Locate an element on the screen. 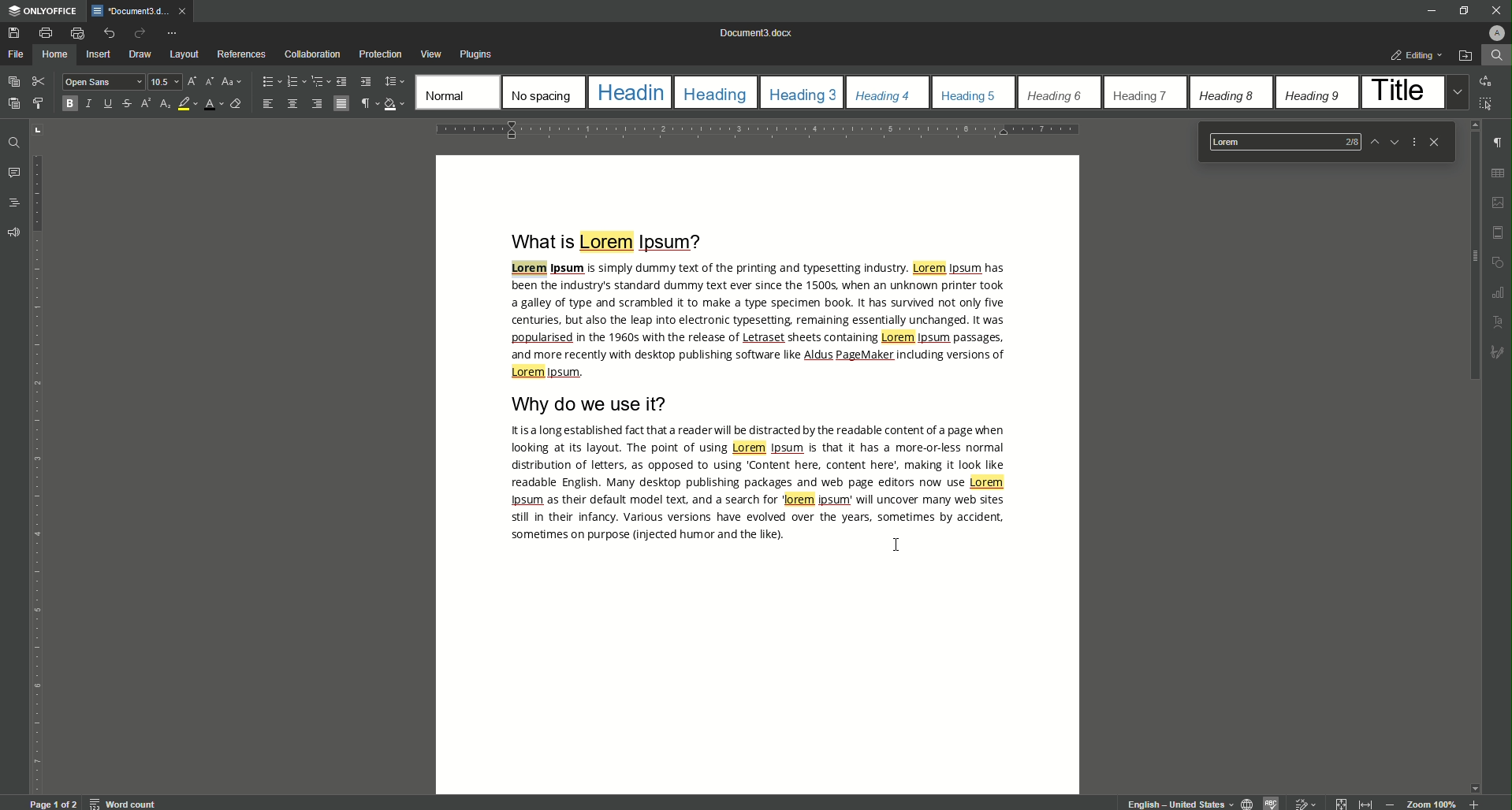  References is located at coordinates (240, 55).